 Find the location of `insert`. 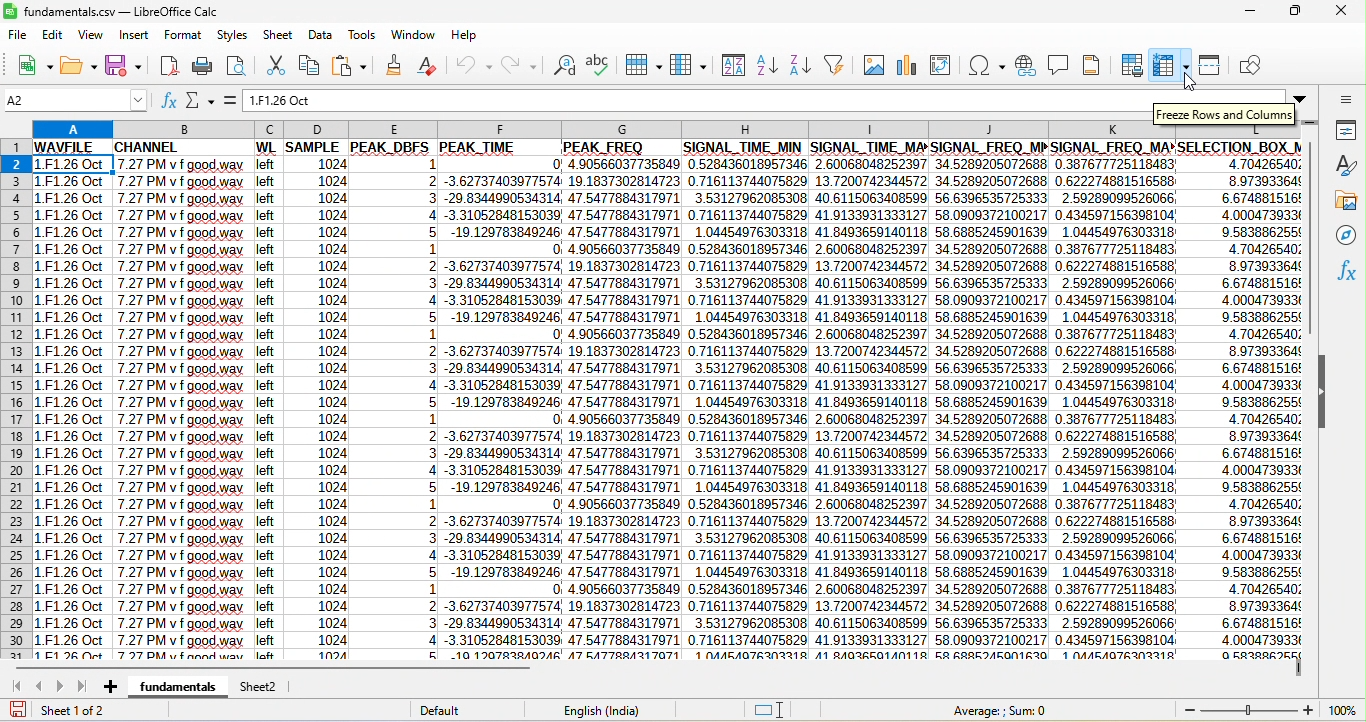

insert is located at coordinates (132, 36).